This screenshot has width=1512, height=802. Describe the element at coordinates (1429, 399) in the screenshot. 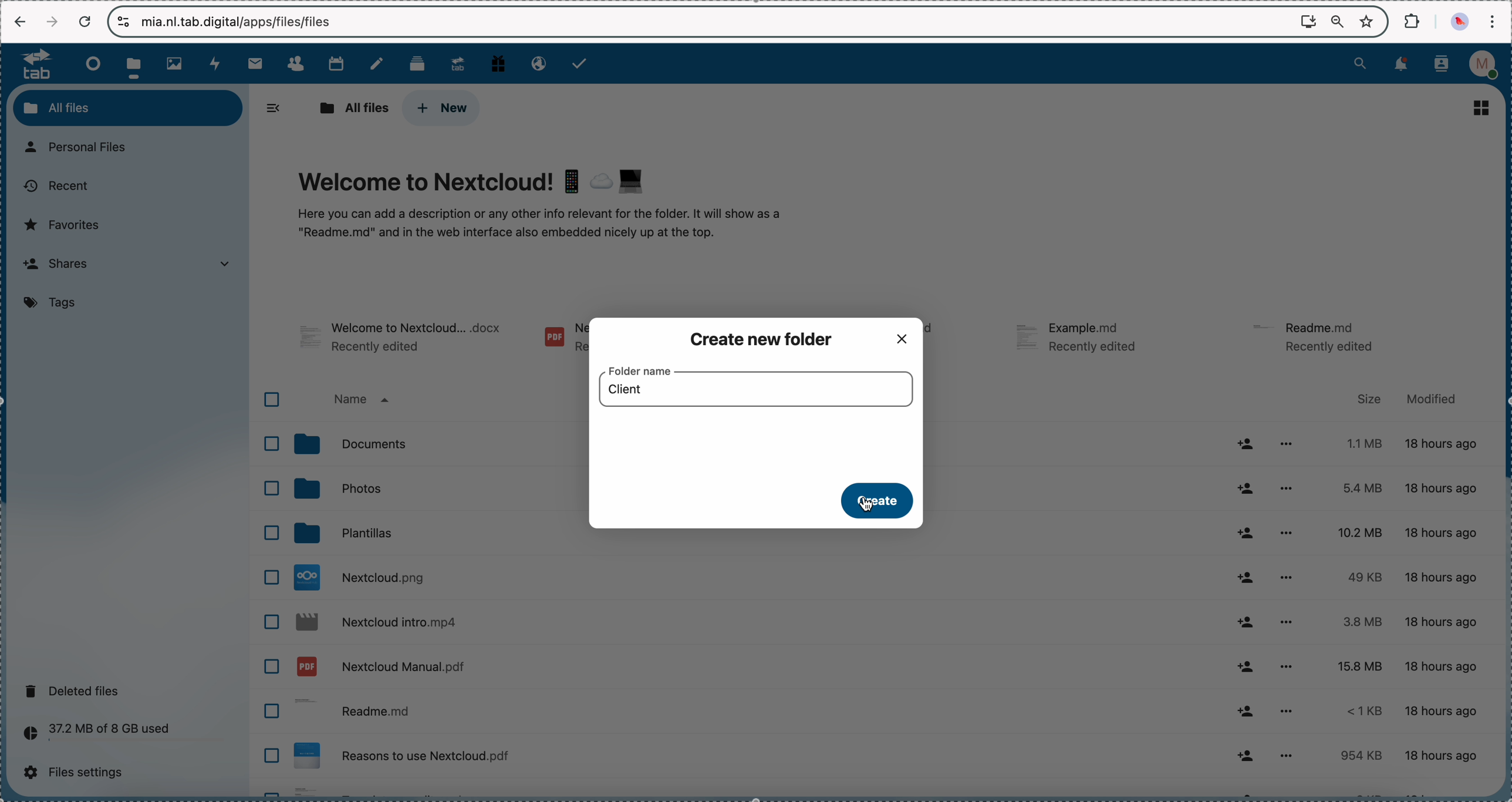

I see `modified` at that location.